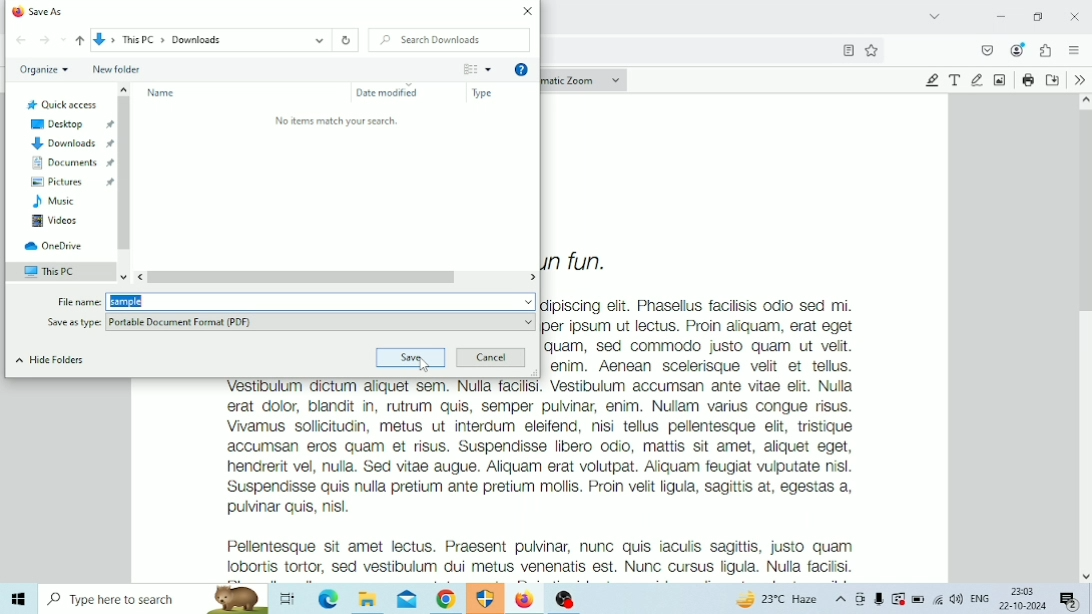 Image resolution: width=1092 pixels, height=614 pixels. I want to click on Hide Folders, so click(45, 360).